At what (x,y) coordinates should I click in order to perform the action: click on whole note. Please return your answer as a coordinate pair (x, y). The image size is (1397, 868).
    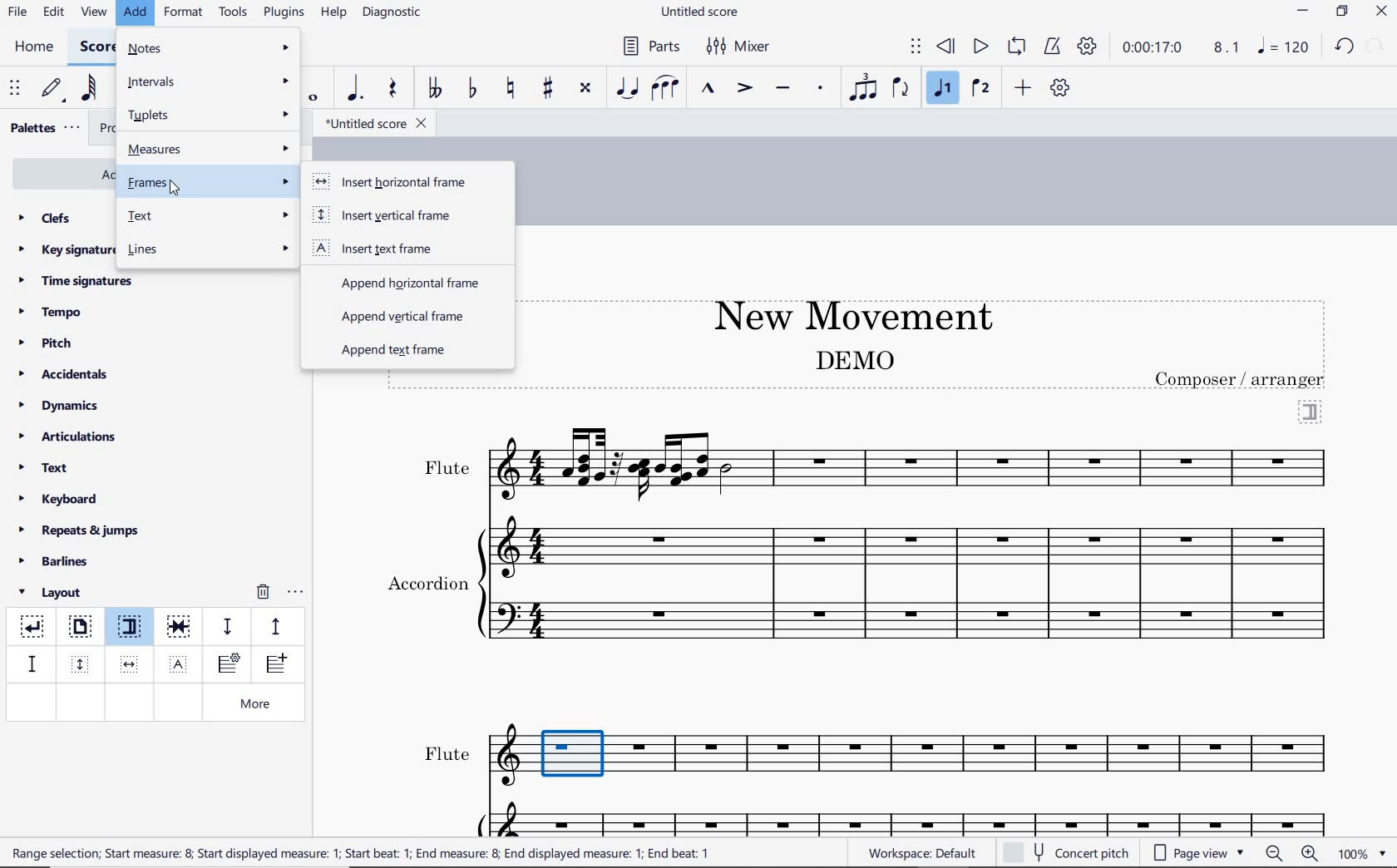
    Looking at the image, I should click on (314, 97).